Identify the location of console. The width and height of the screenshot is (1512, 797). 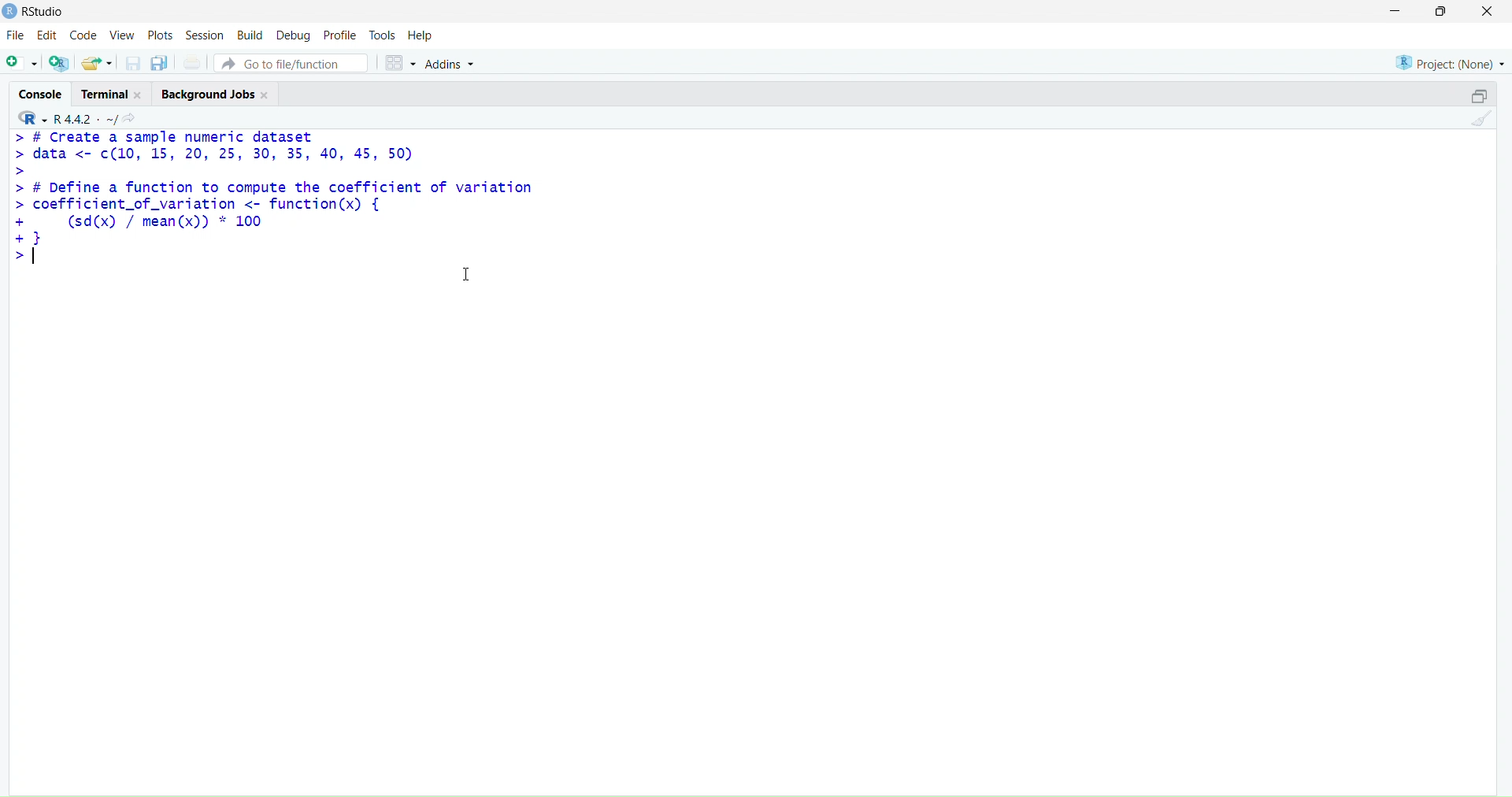
(42, 94).